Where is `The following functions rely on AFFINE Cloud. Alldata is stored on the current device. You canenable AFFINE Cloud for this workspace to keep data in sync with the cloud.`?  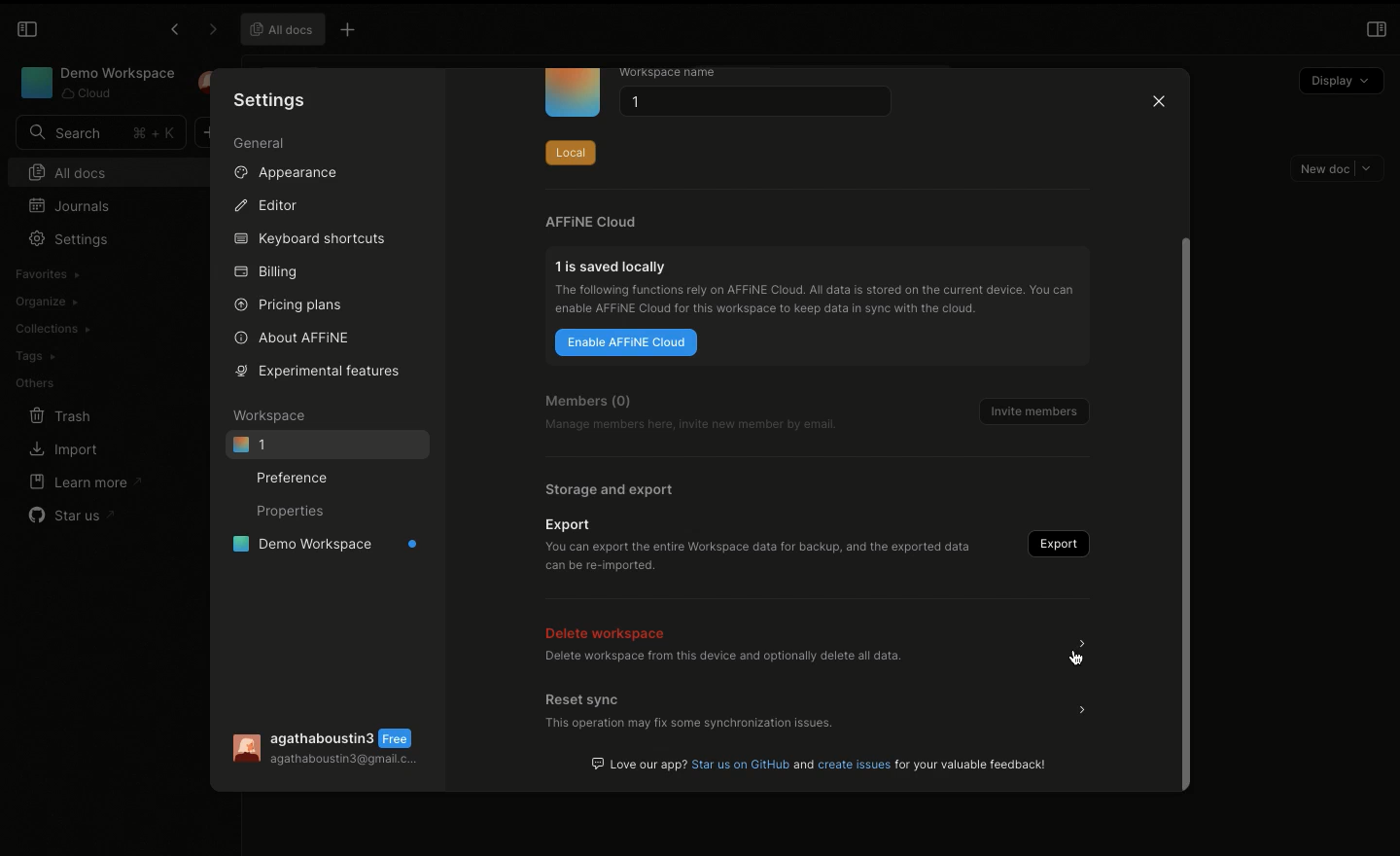 The following functions rely on AFFINE Cloud. Alldata is stored on the current device. You canenable AFFINE Cloud for this workspace to keep data in sync with the cloud. is located at coordinates (820, 303).